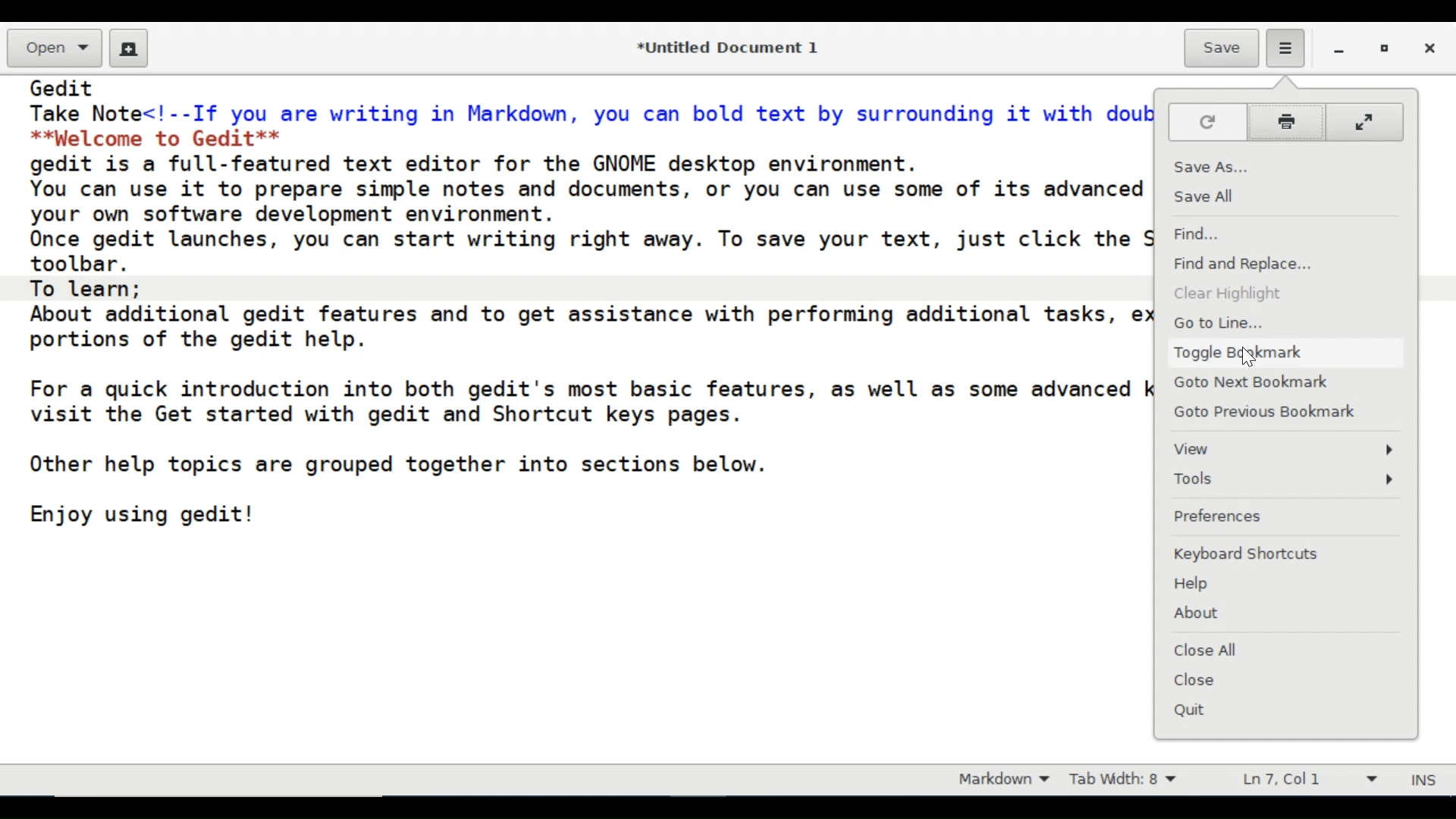 The image size is (1456, 819). Describe the element at coordinates (1289, 123) in the screenshot. I see `` at that location.